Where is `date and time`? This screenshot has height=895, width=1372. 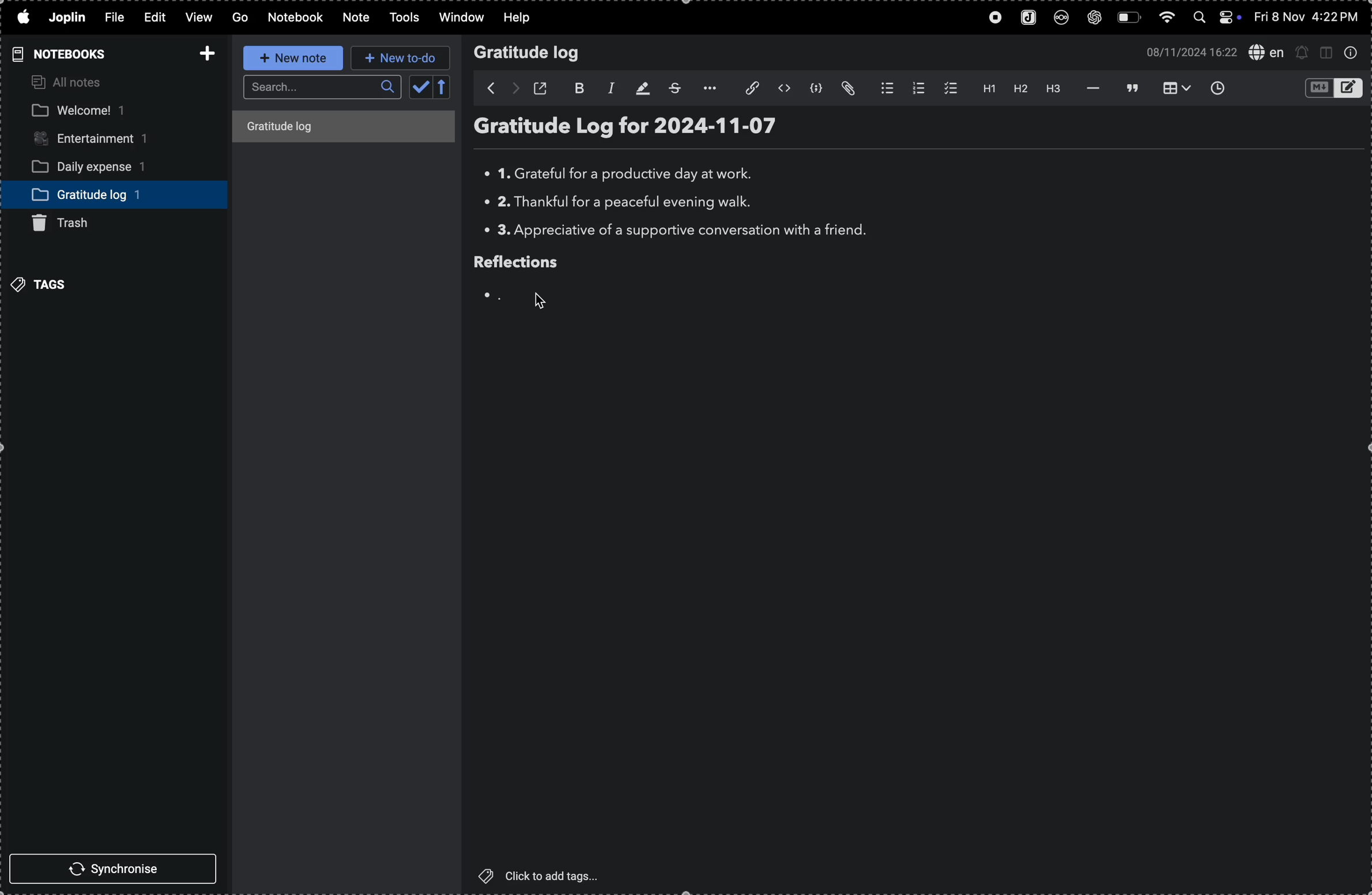
date and time is located at coordinates (1305, 17).